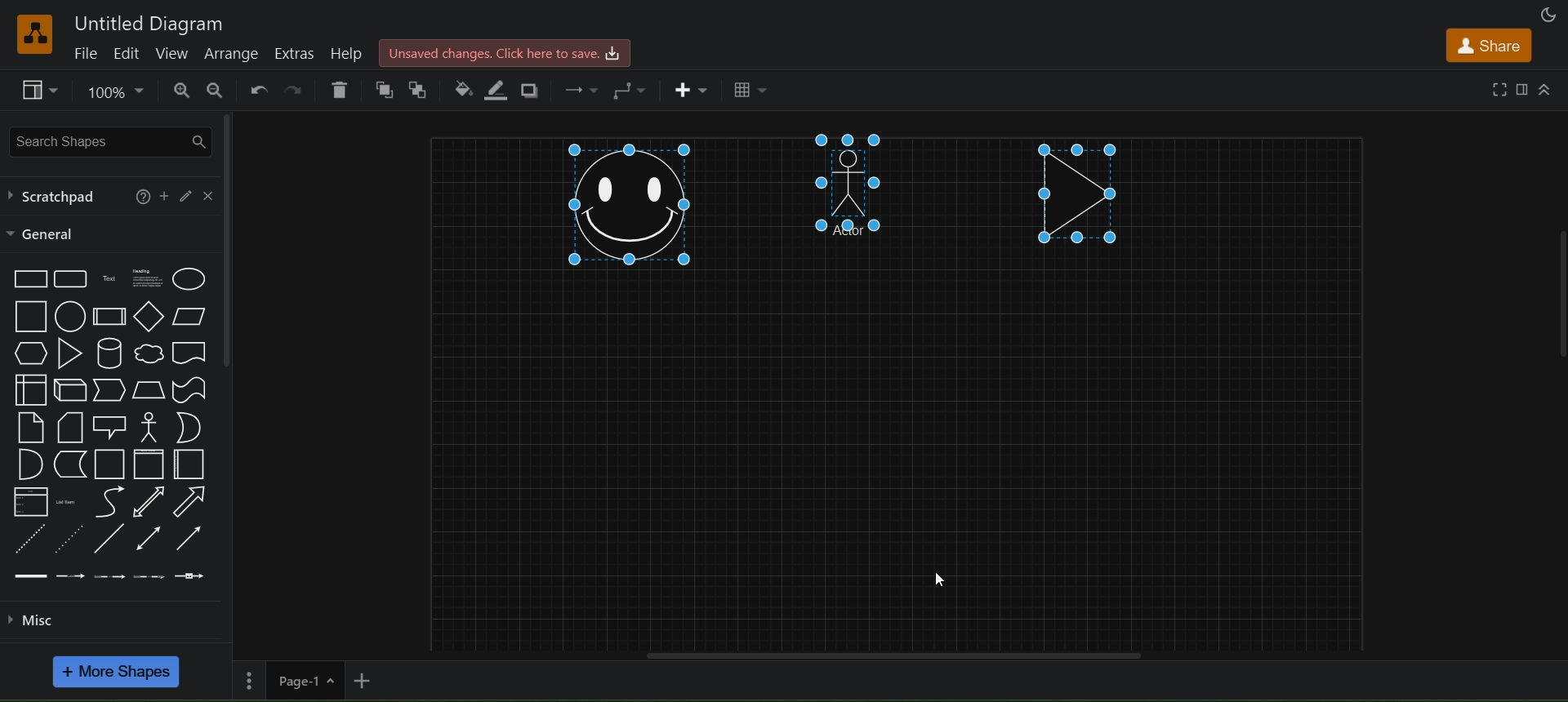  Describe the element at coordinates (70, 464) in the screenshot. I see `data storage` at that location.